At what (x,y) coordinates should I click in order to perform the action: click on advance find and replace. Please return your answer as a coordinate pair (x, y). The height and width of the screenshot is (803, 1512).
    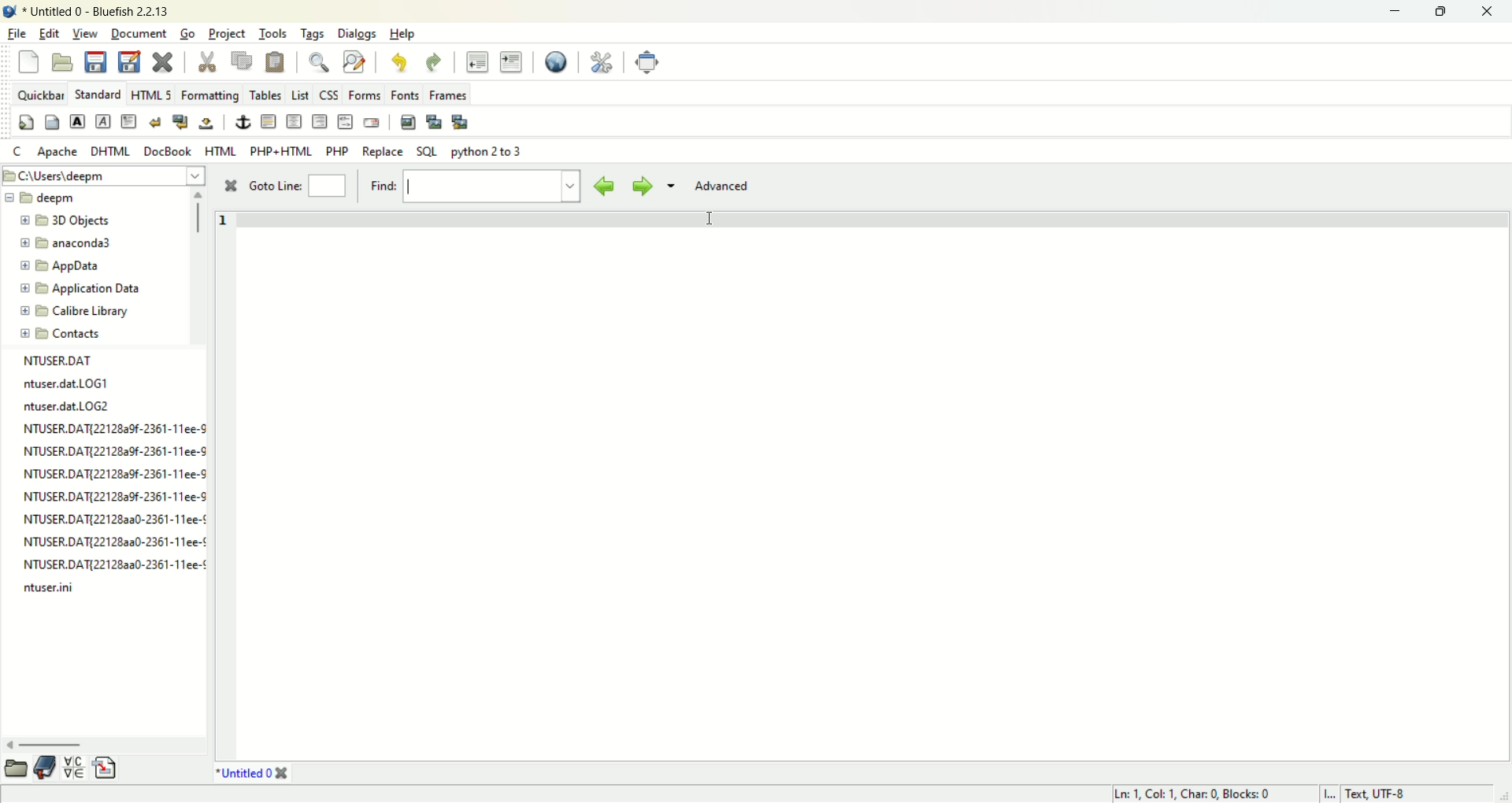
    Looking at the image, I should click on (354, 61).